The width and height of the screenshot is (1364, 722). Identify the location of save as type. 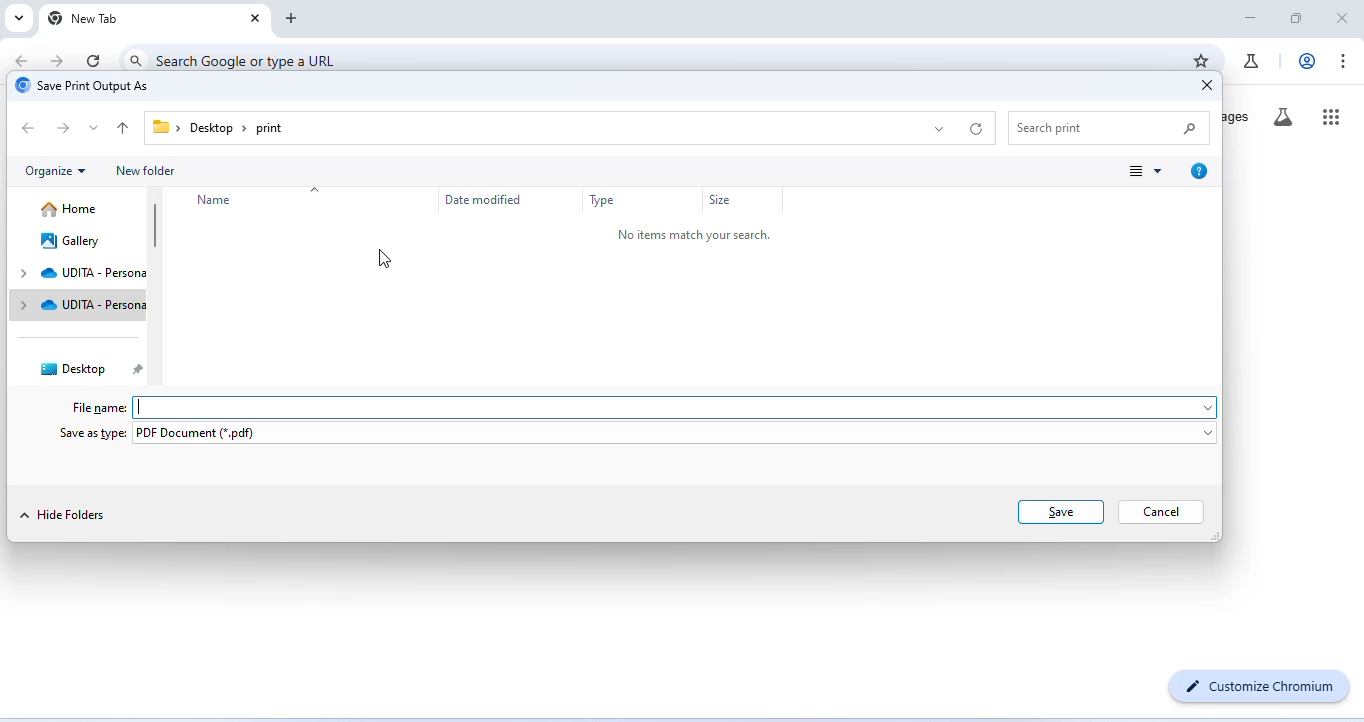
(90, 435).